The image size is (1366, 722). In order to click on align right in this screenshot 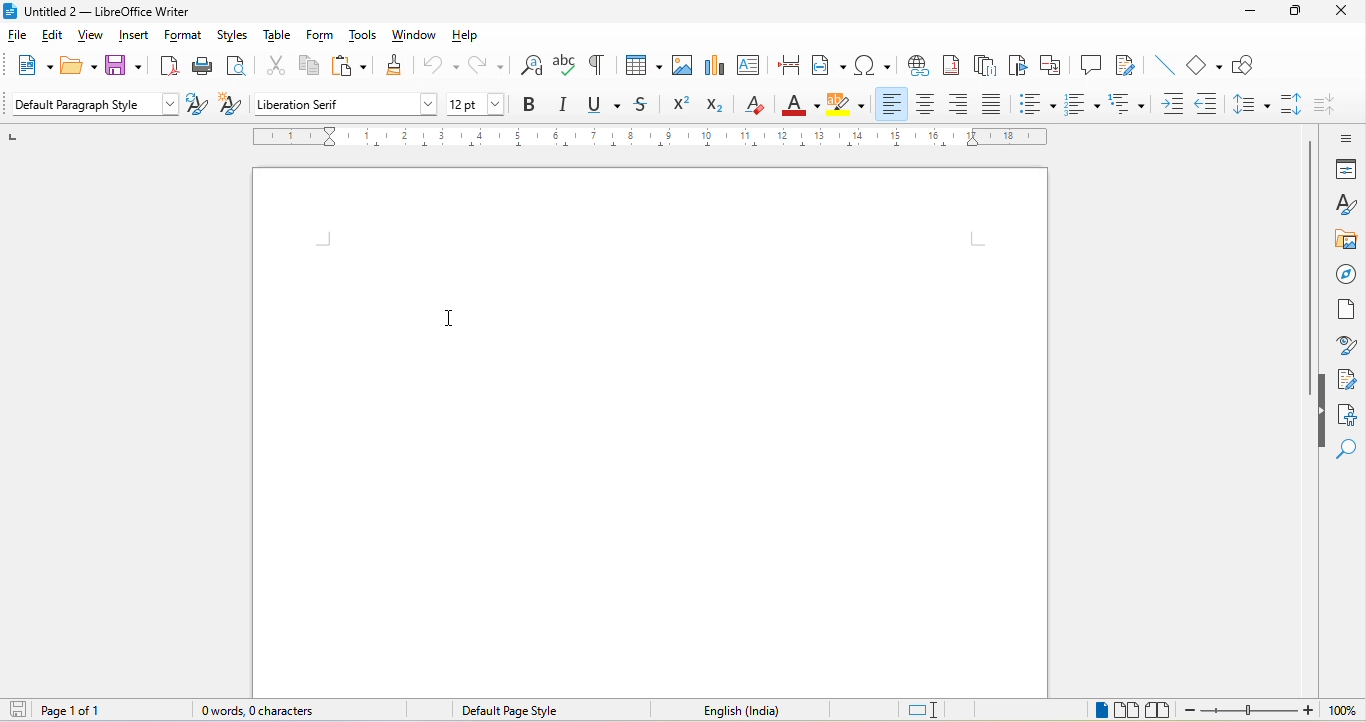, I will do `click(960, 105)`.